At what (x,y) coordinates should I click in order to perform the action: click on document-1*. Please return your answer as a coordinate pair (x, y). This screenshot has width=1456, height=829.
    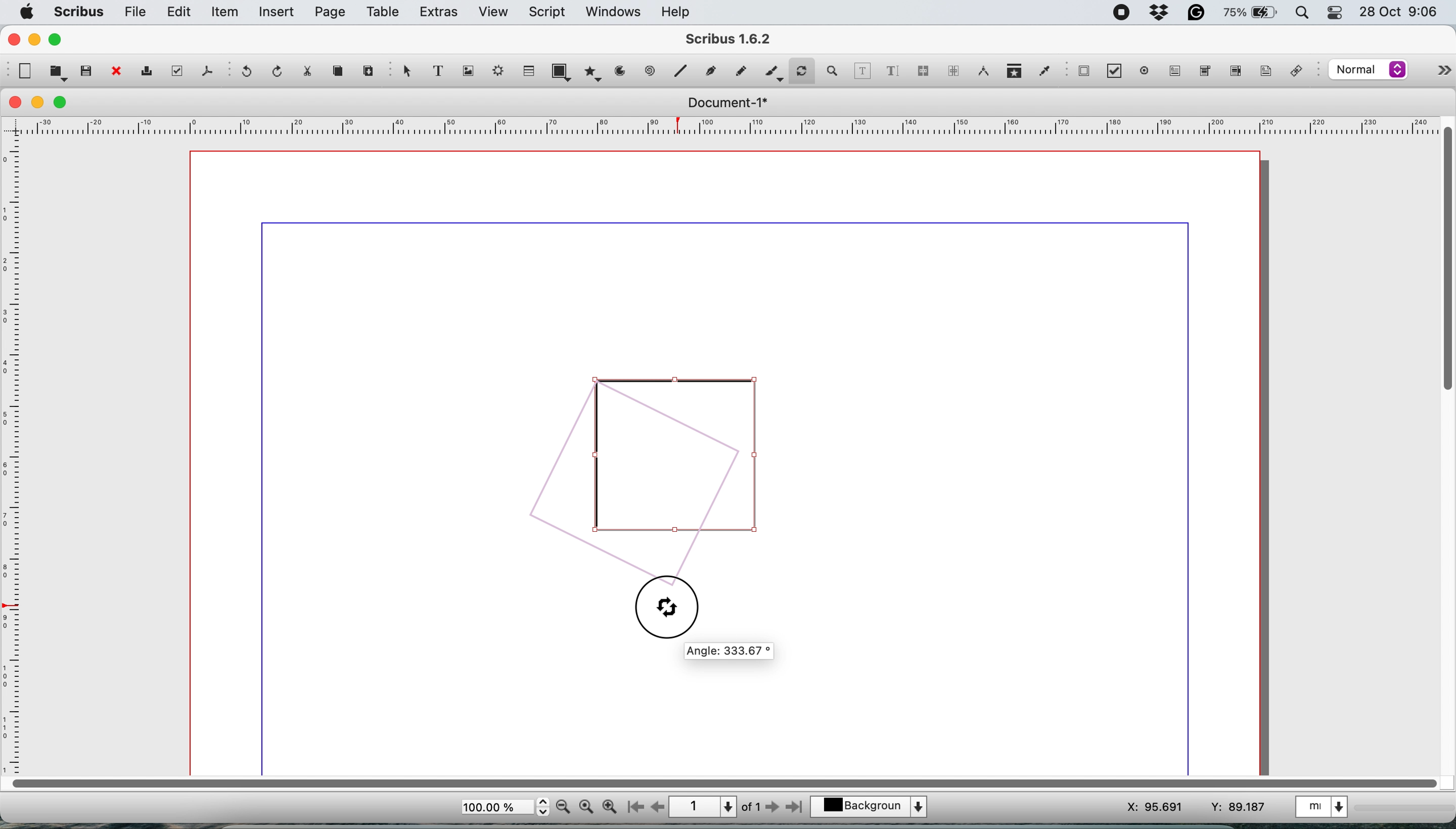
    Looking at the image, I should click on (724, 103).